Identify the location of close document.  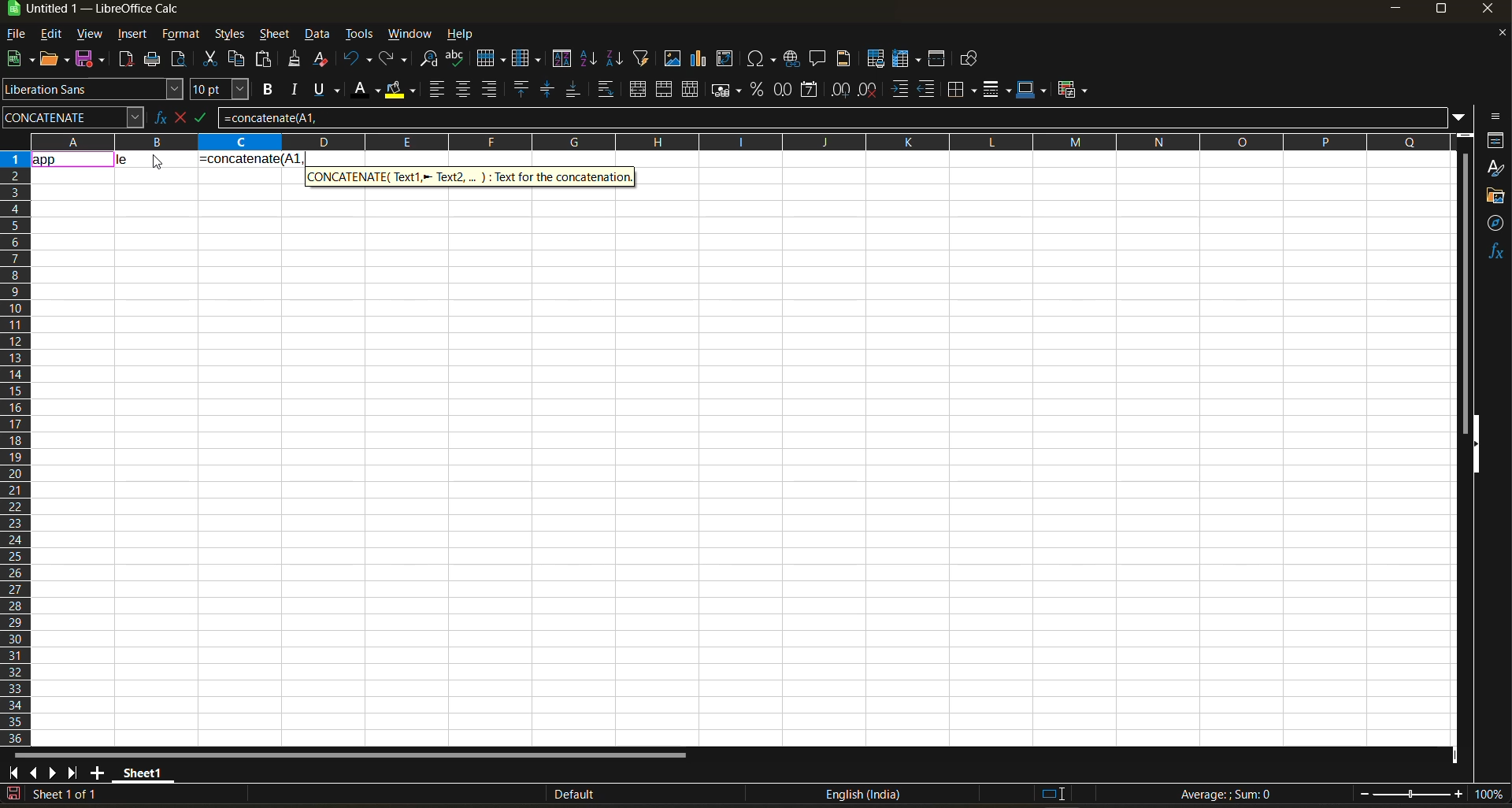
(1496, 37).